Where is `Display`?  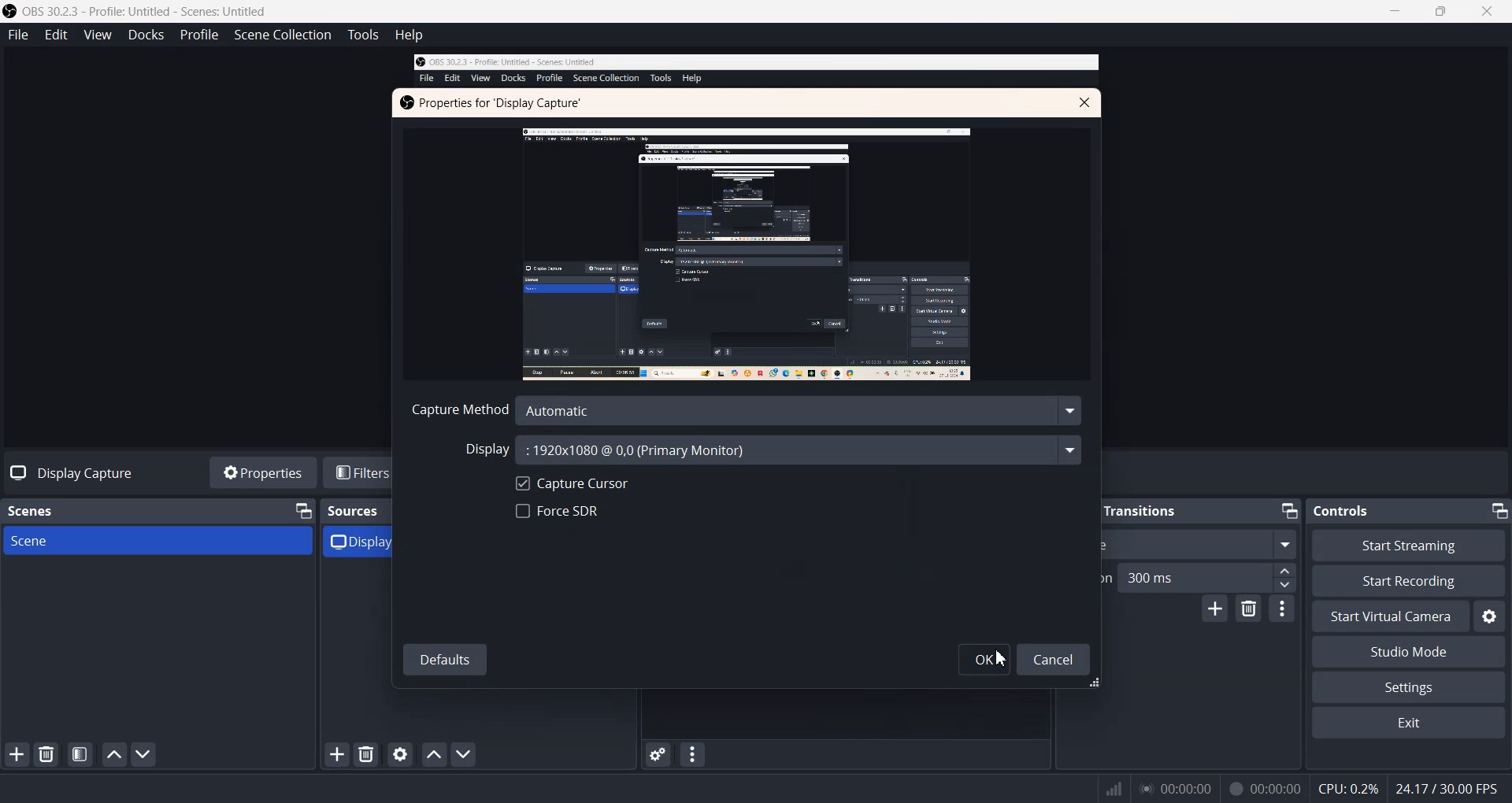 Display is located at coordinates (773, 450).